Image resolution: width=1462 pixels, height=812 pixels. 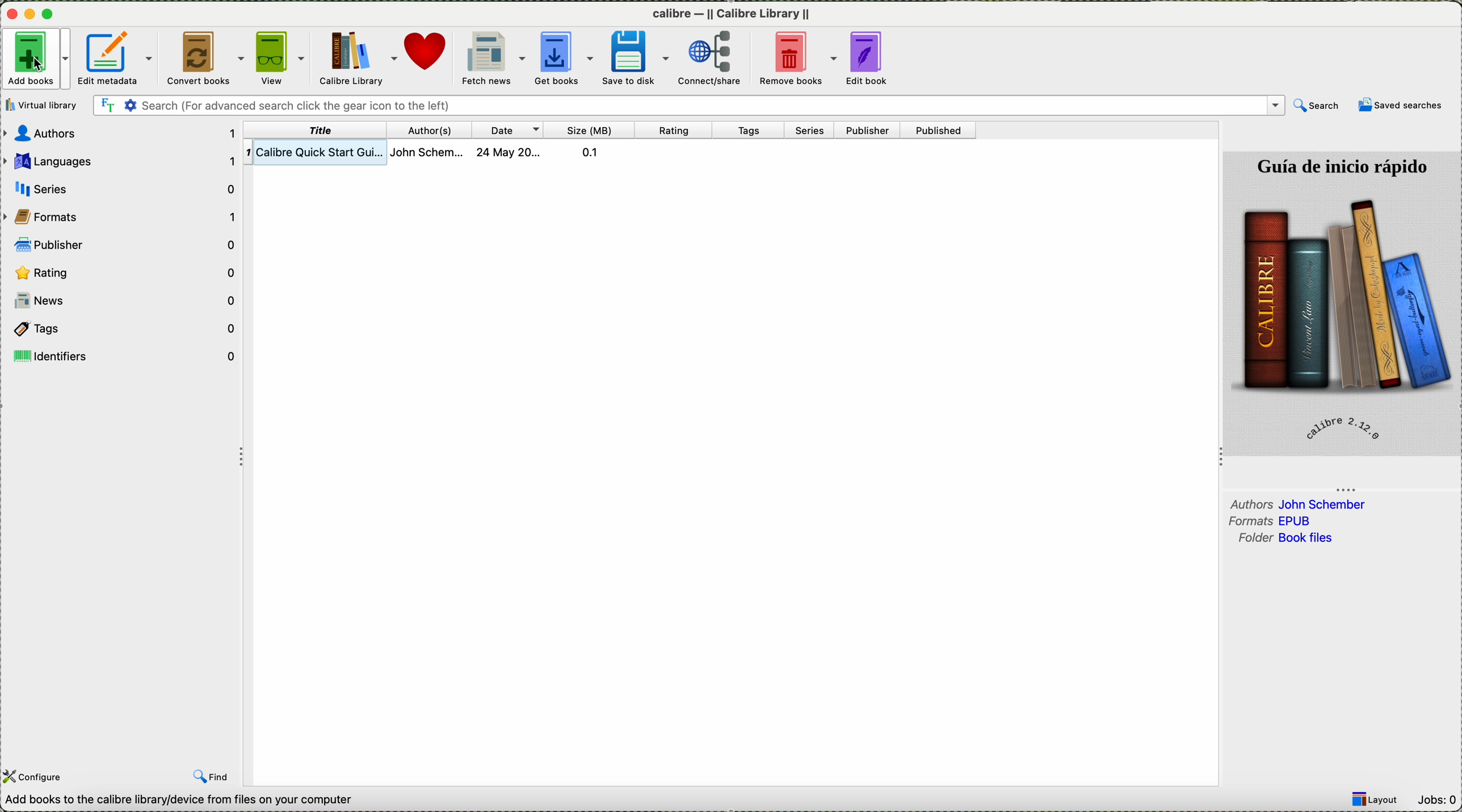 What do you see at coordinates (36, 66) in the screenshot?
I see `cursor` at bounding box center [36, 66].